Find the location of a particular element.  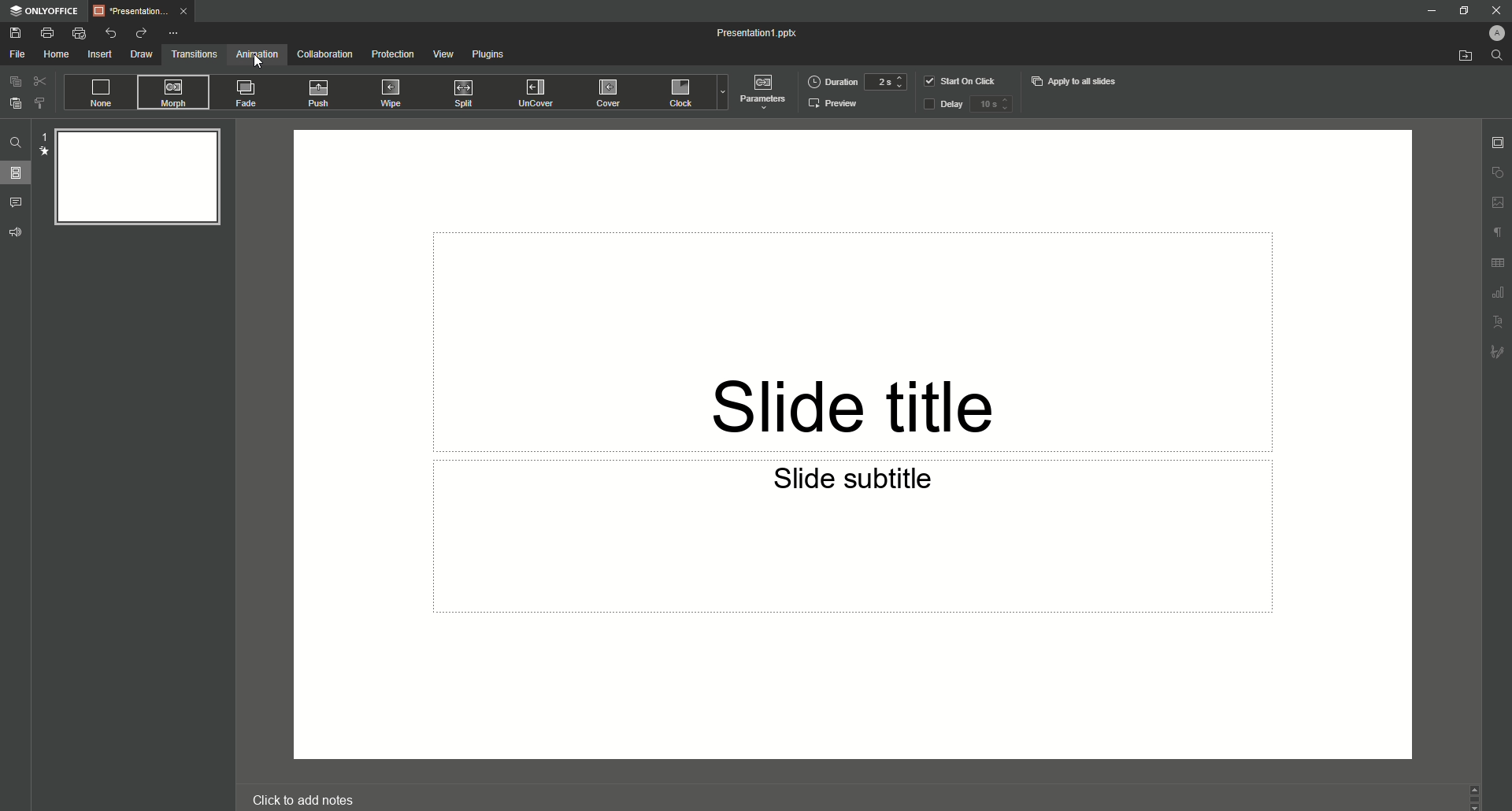

ONLYOFFICE is located at coordinates (47, 11).